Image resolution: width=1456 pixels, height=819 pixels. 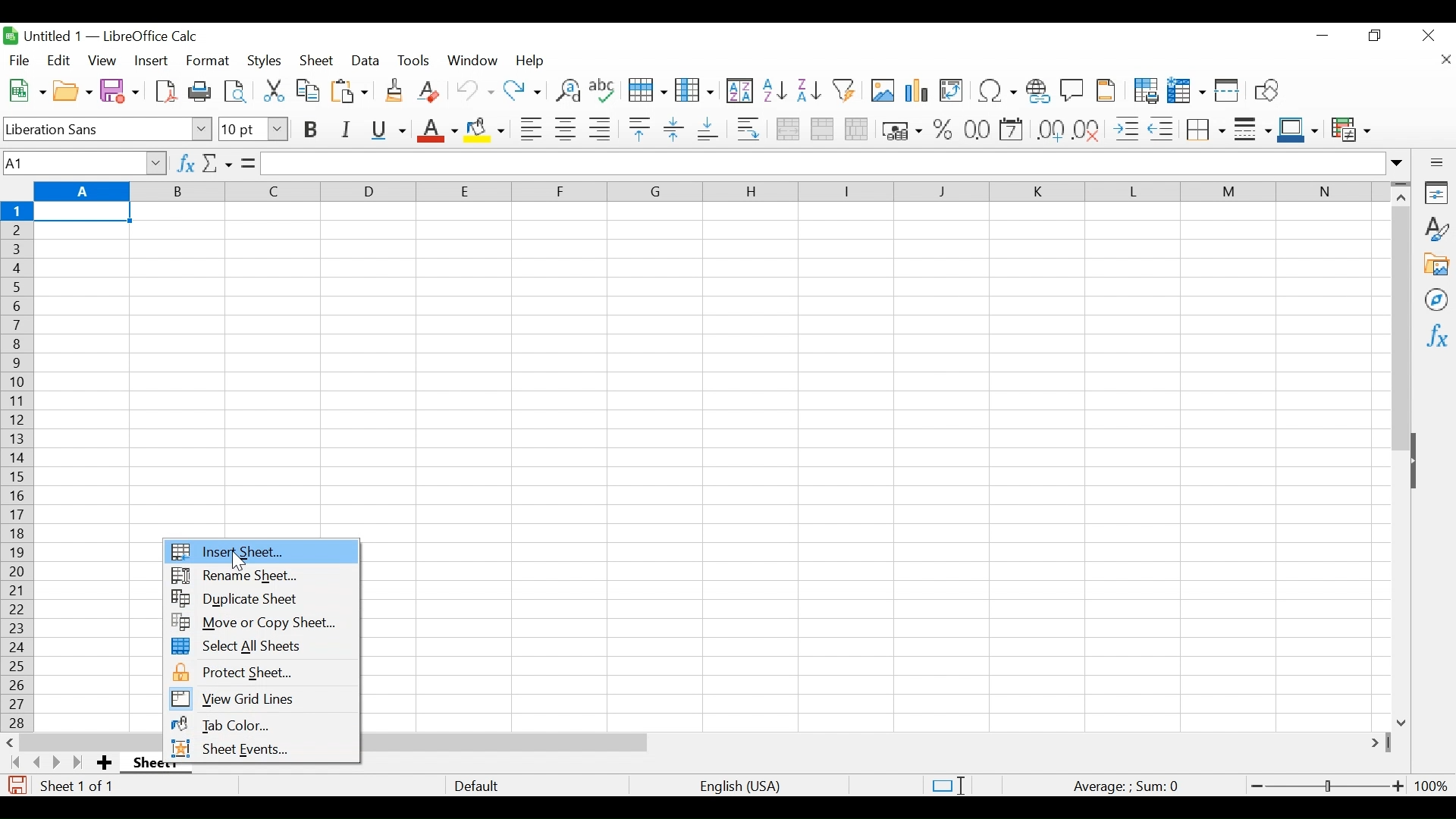 I want to click on Sort Descending, so click(x=808, y=91).